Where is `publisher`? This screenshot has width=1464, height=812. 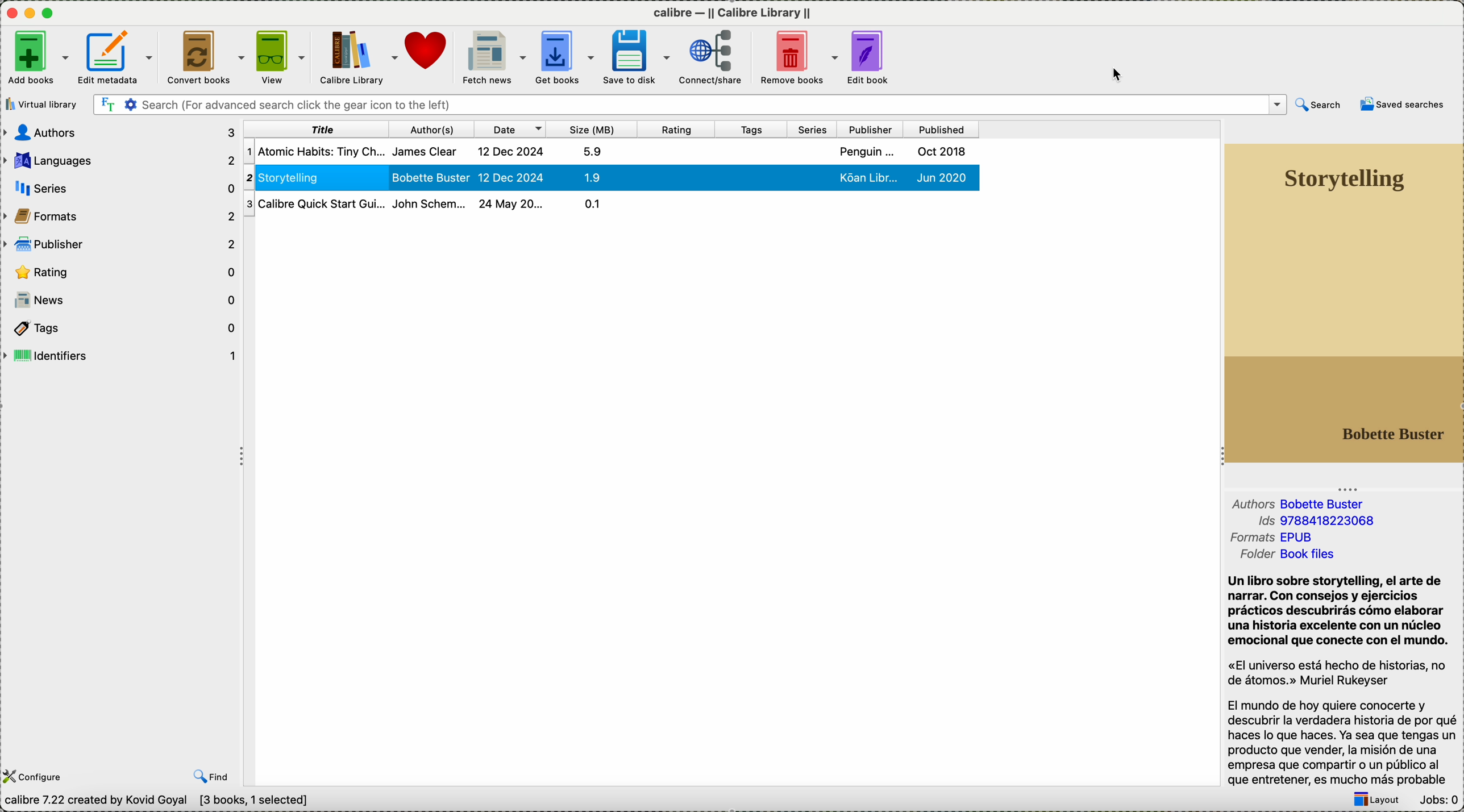
publisher is located at coordinates (123, 243).